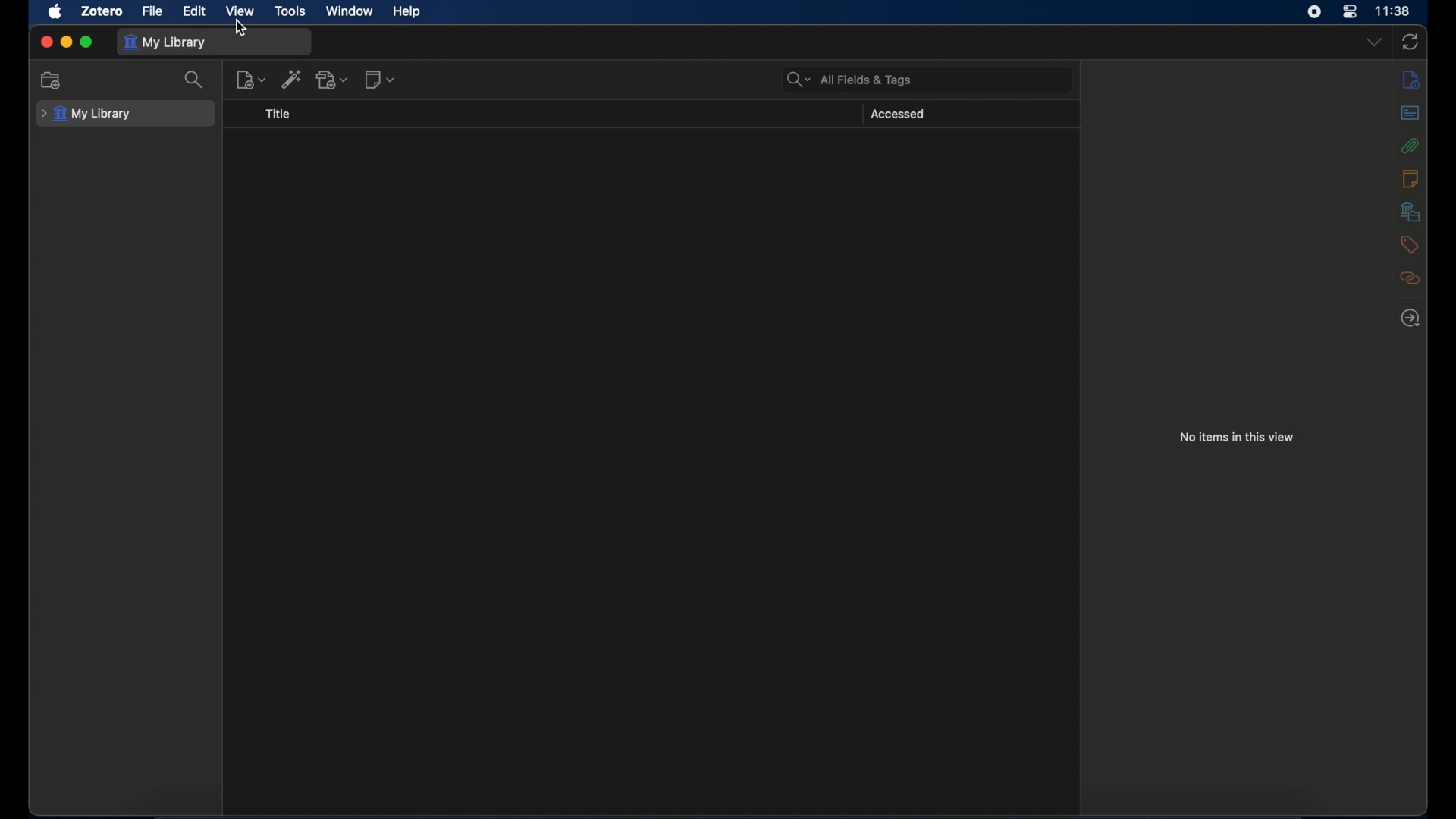 Image resolution: width=1456 pixels, height=819 pixels. I want to click on screen recorder, so click(1314, 12).